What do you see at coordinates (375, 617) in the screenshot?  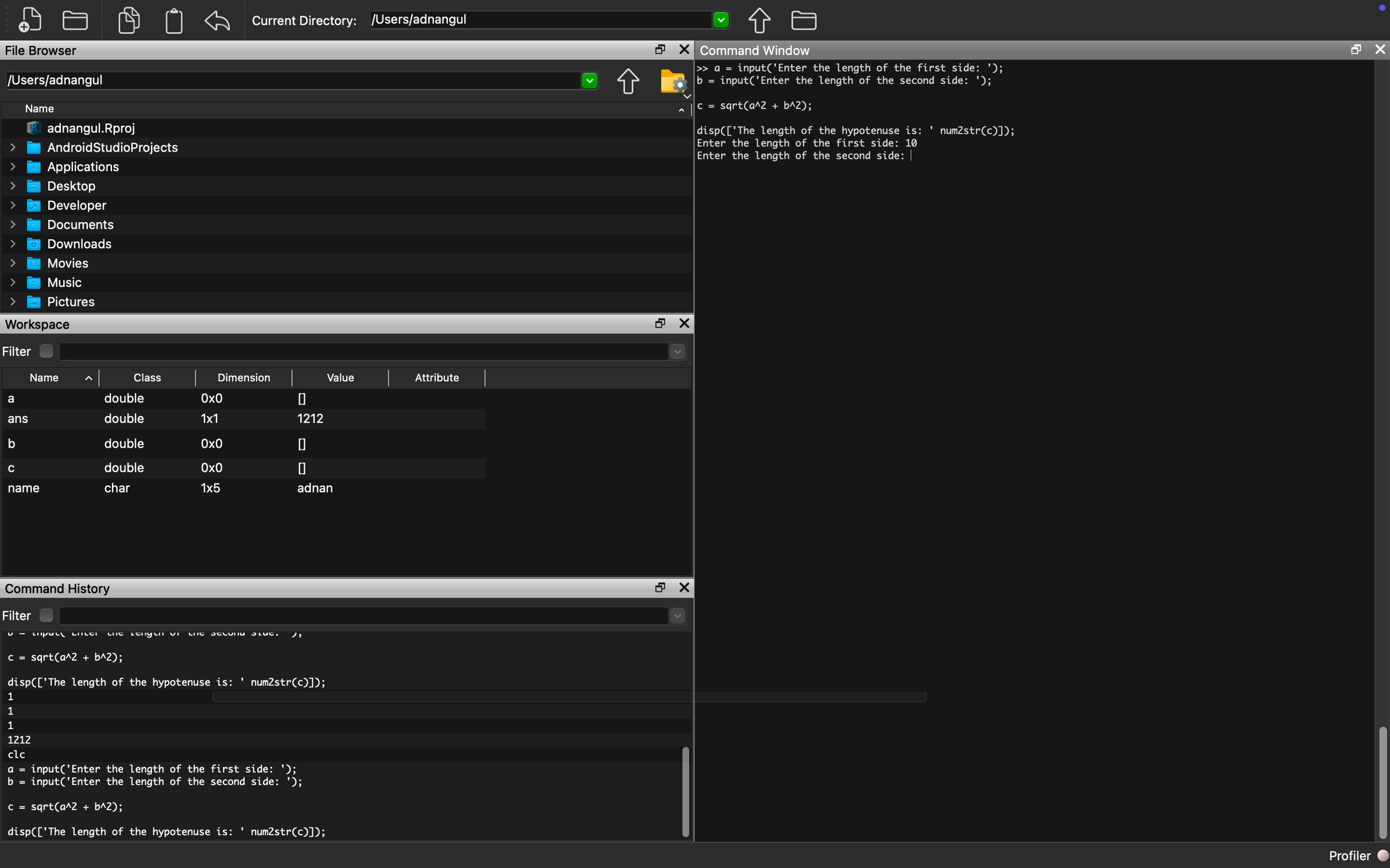 I see `dropdown` at bounding box center [375, 617].